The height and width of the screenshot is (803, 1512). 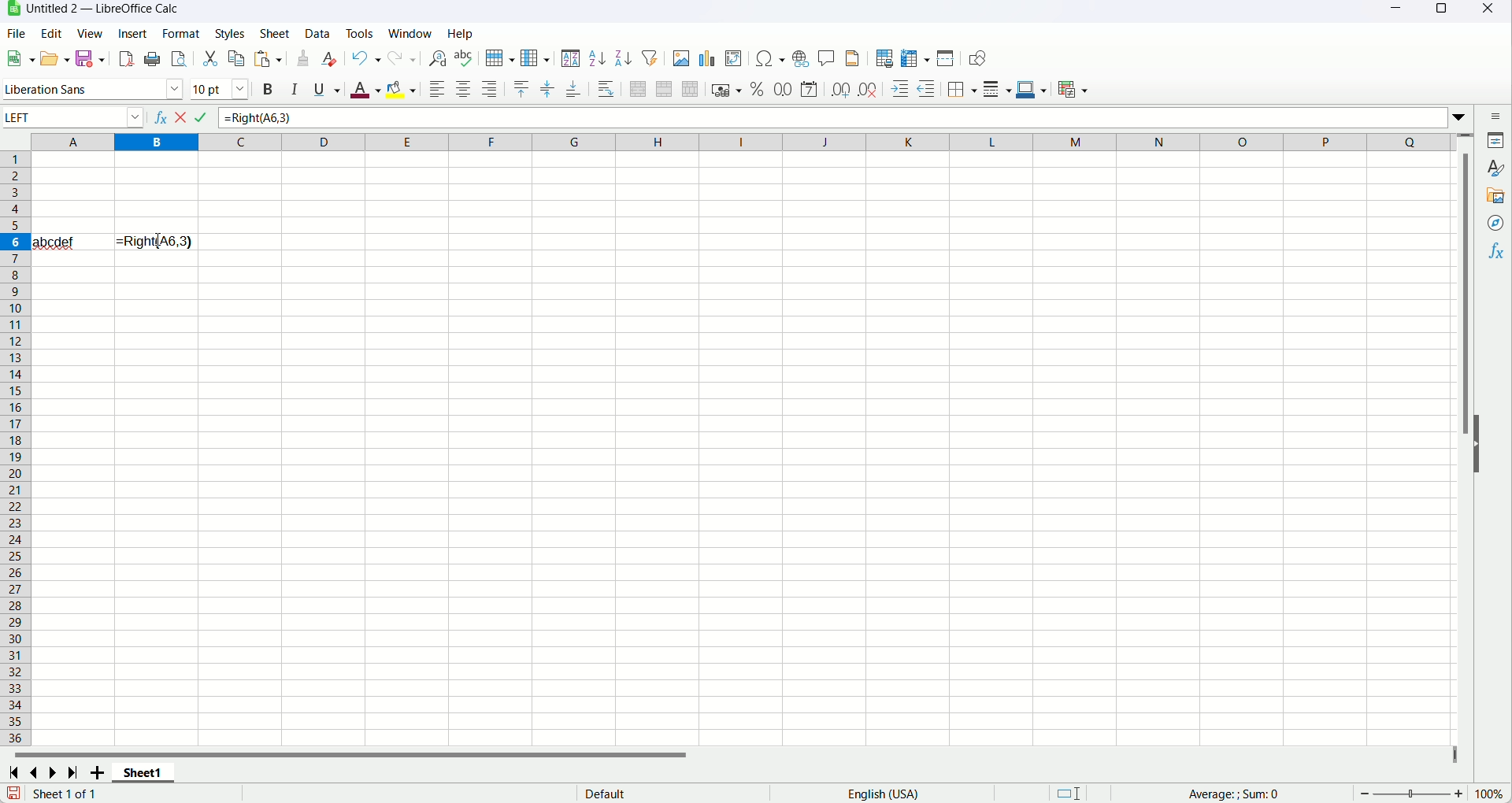 What do you see at coordinates (20, 58) in the screenshot?
I see `open` at bounding box center [20, 58].